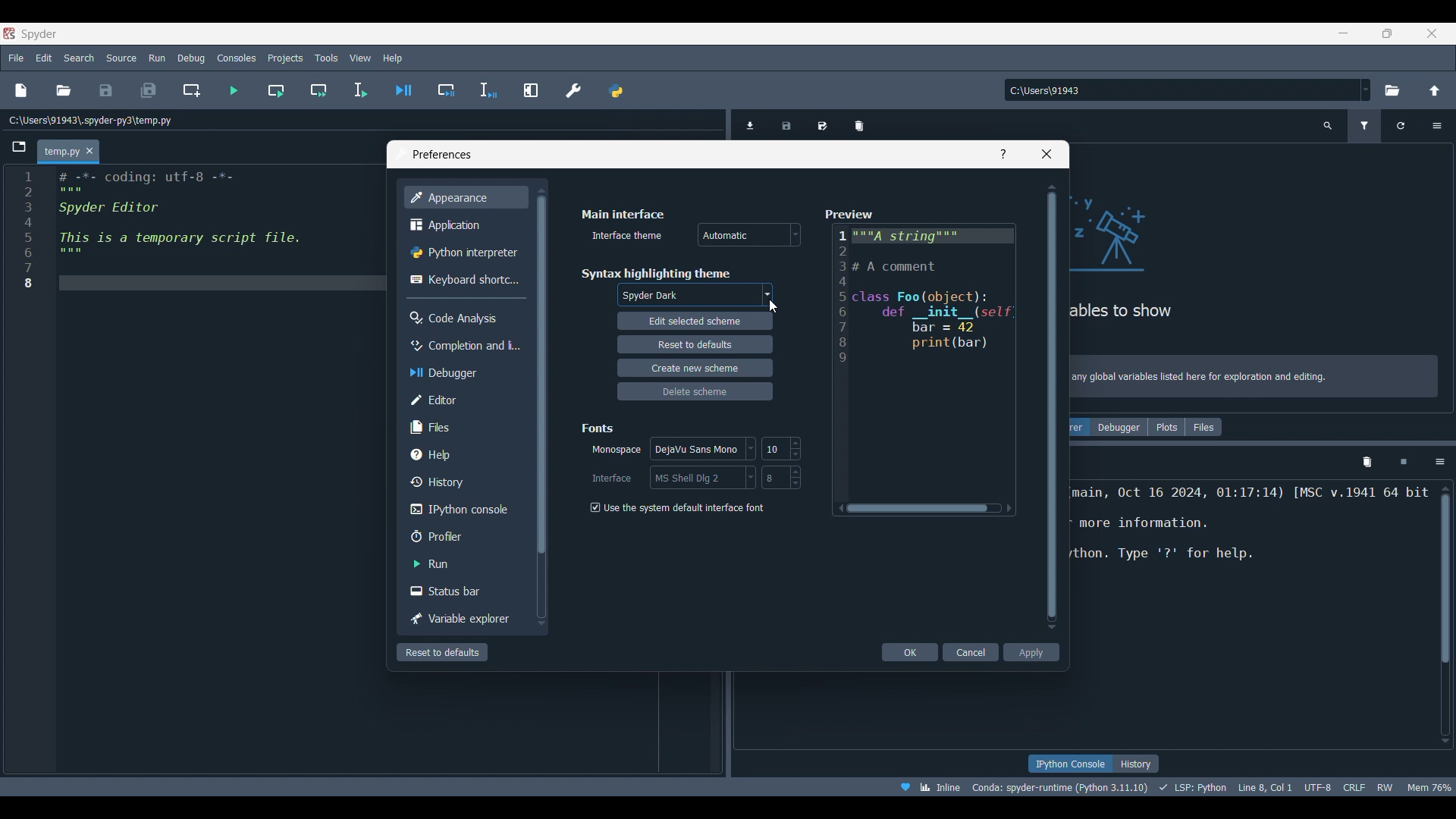  What do you see at coordinates (463, 591) in the screenshot?
I see `Status bar` at bounding box center [463, 591].